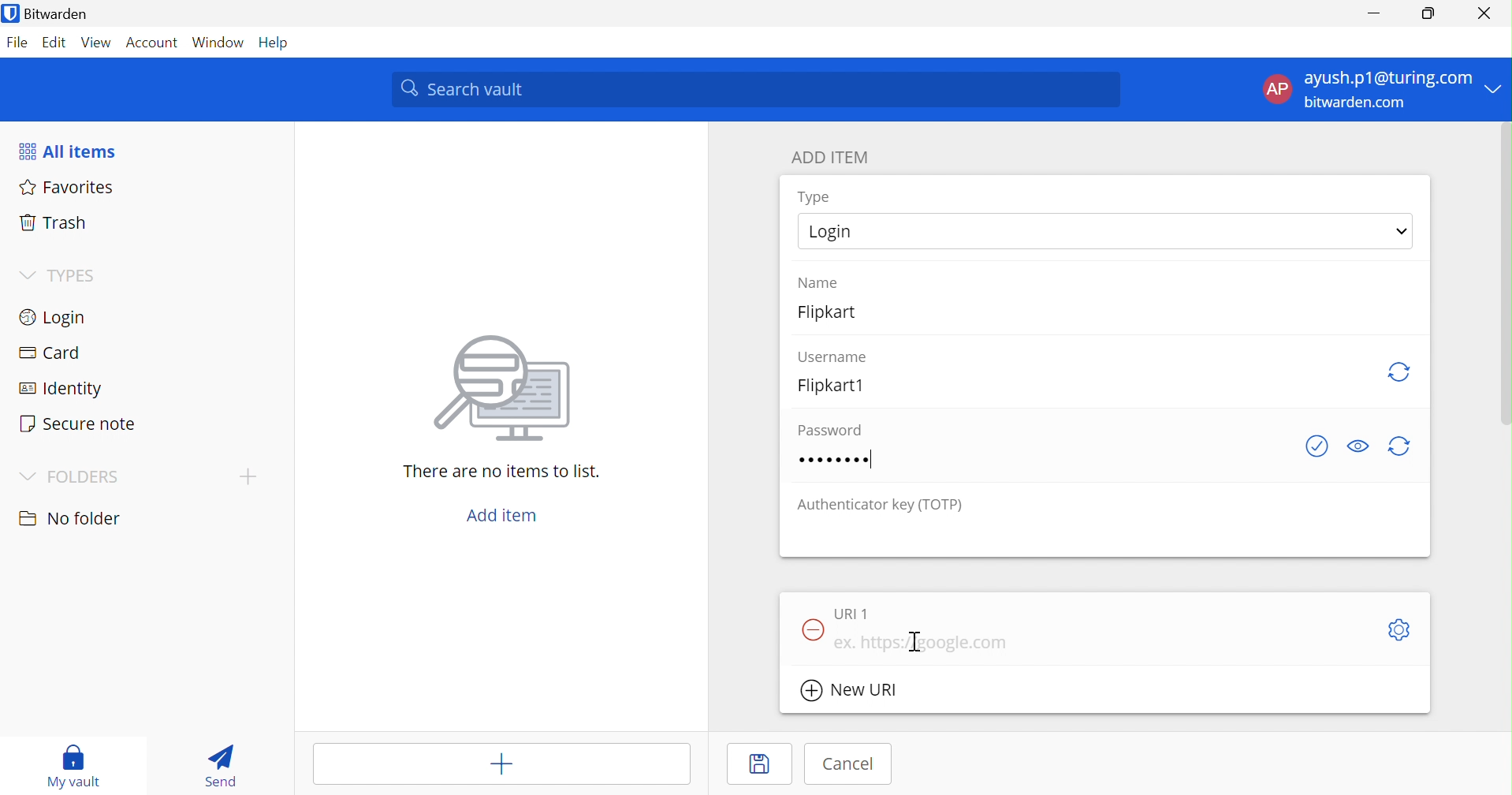 Image resolution: width=1512 pixels, height=795 pixels. Describe the element at coordinates (1400, 447) in the screenshot. I see `generate password` at that location.